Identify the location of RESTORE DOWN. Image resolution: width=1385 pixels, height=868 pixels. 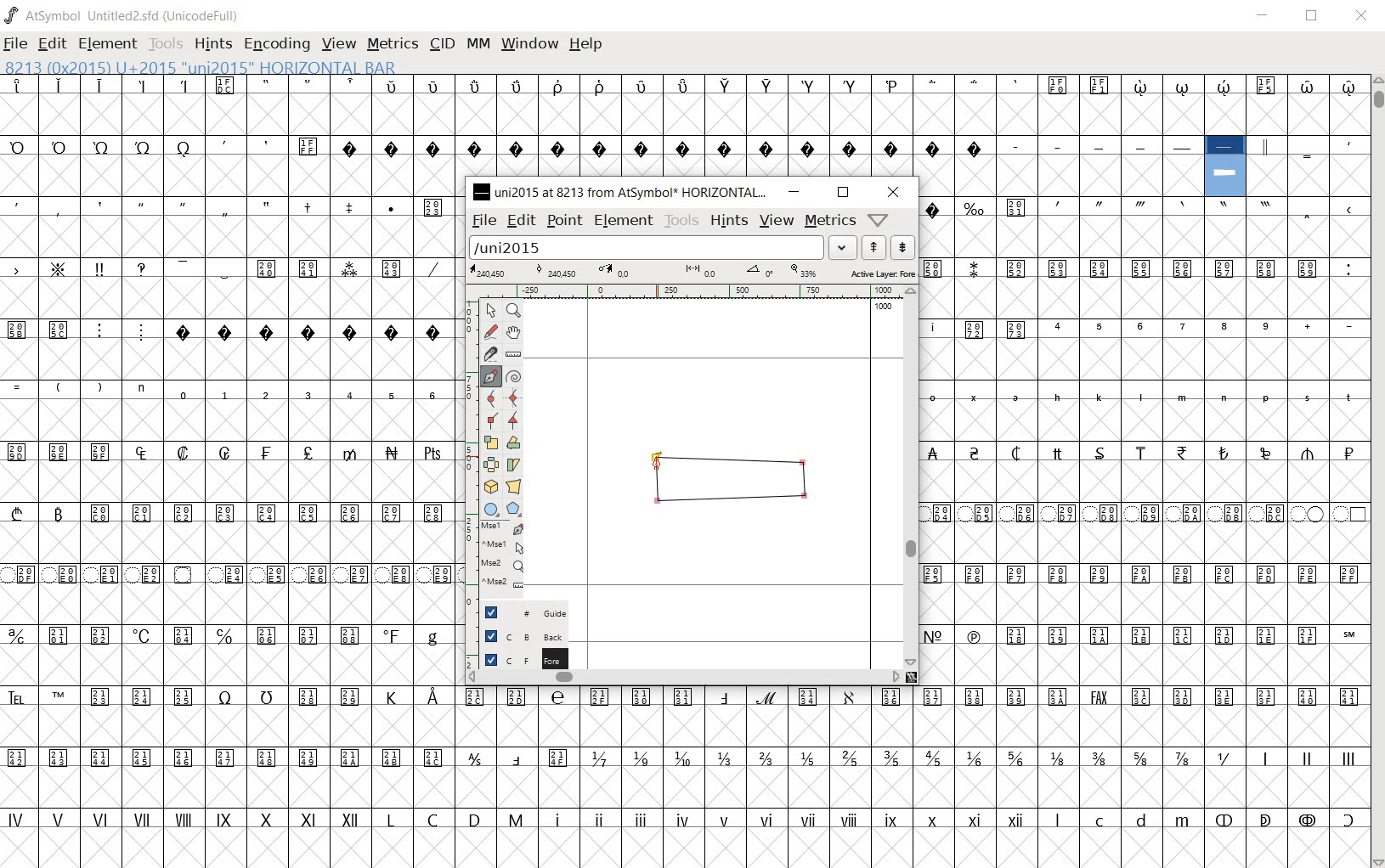
(1314, 17).